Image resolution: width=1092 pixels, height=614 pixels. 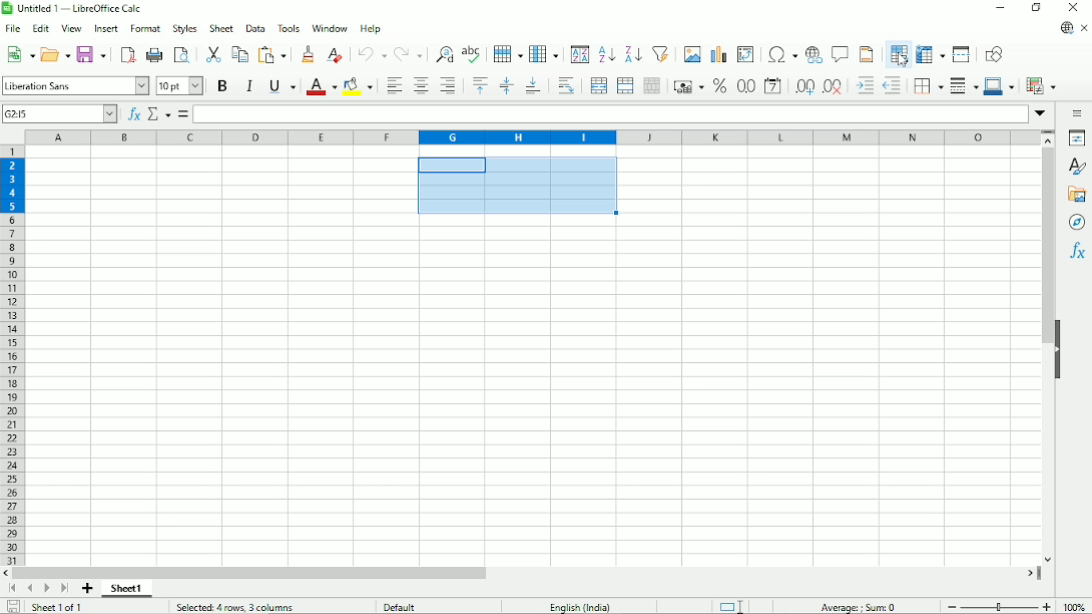 I want to click on Redo, so click(x=407, y=53).